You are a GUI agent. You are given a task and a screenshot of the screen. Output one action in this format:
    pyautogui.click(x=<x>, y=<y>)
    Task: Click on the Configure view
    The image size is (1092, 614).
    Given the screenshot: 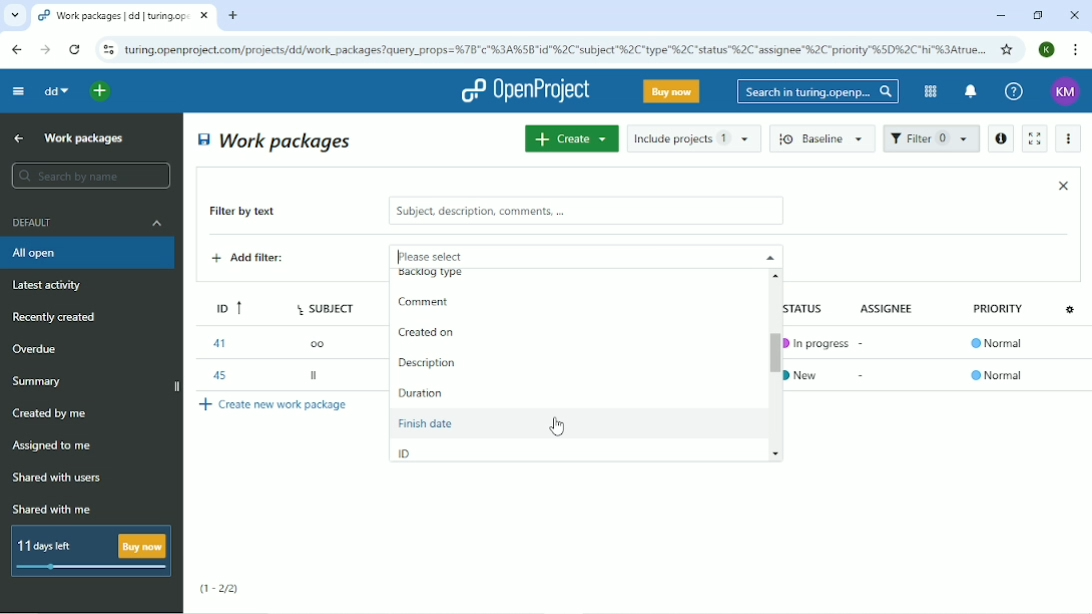 What is the action you would take?
    pyautogui.click(x=1072, y=308)
    